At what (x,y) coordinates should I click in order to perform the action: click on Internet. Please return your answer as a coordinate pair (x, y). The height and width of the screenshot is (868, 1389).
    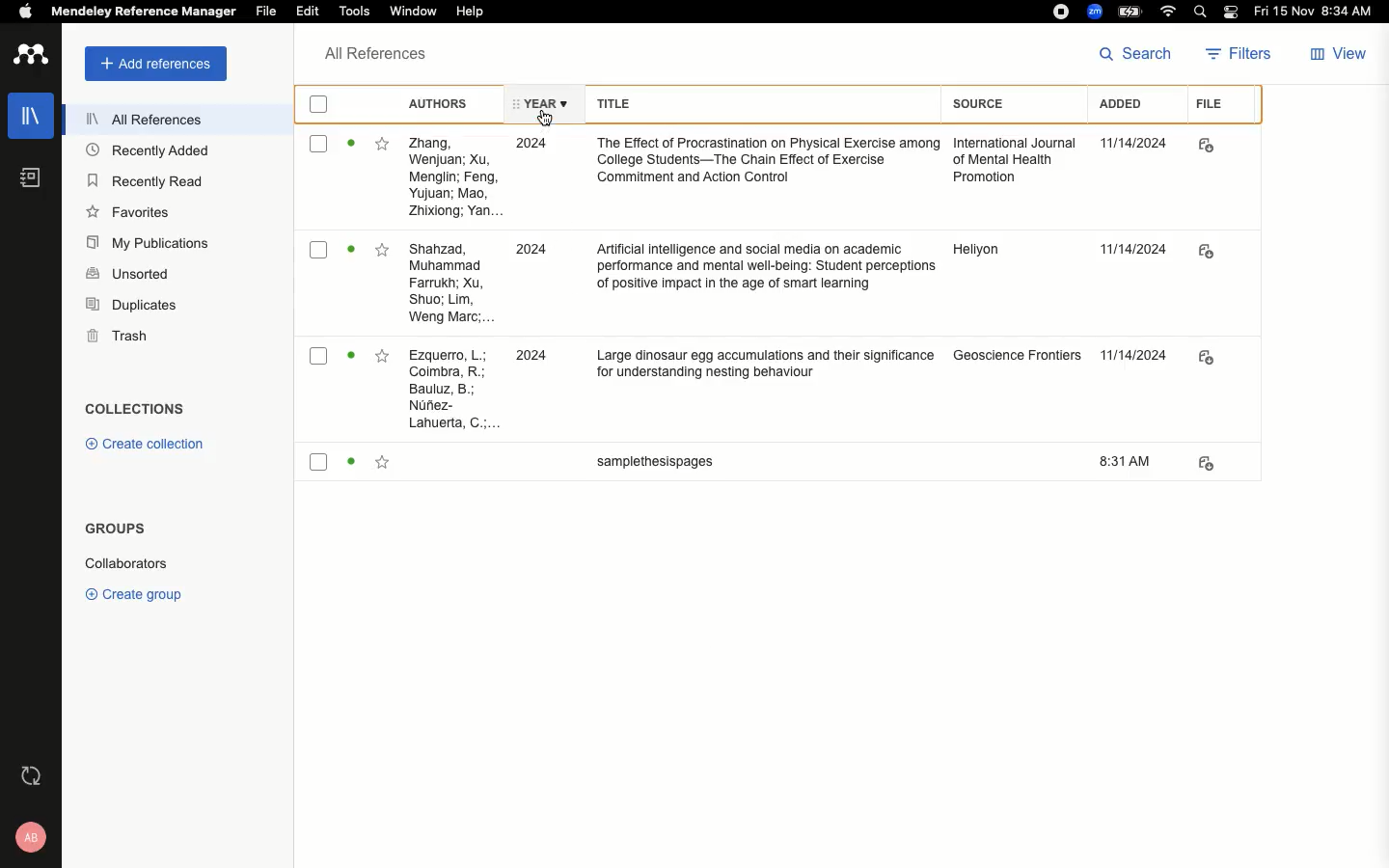
    Looking at the image, I should click on (1169, 12).